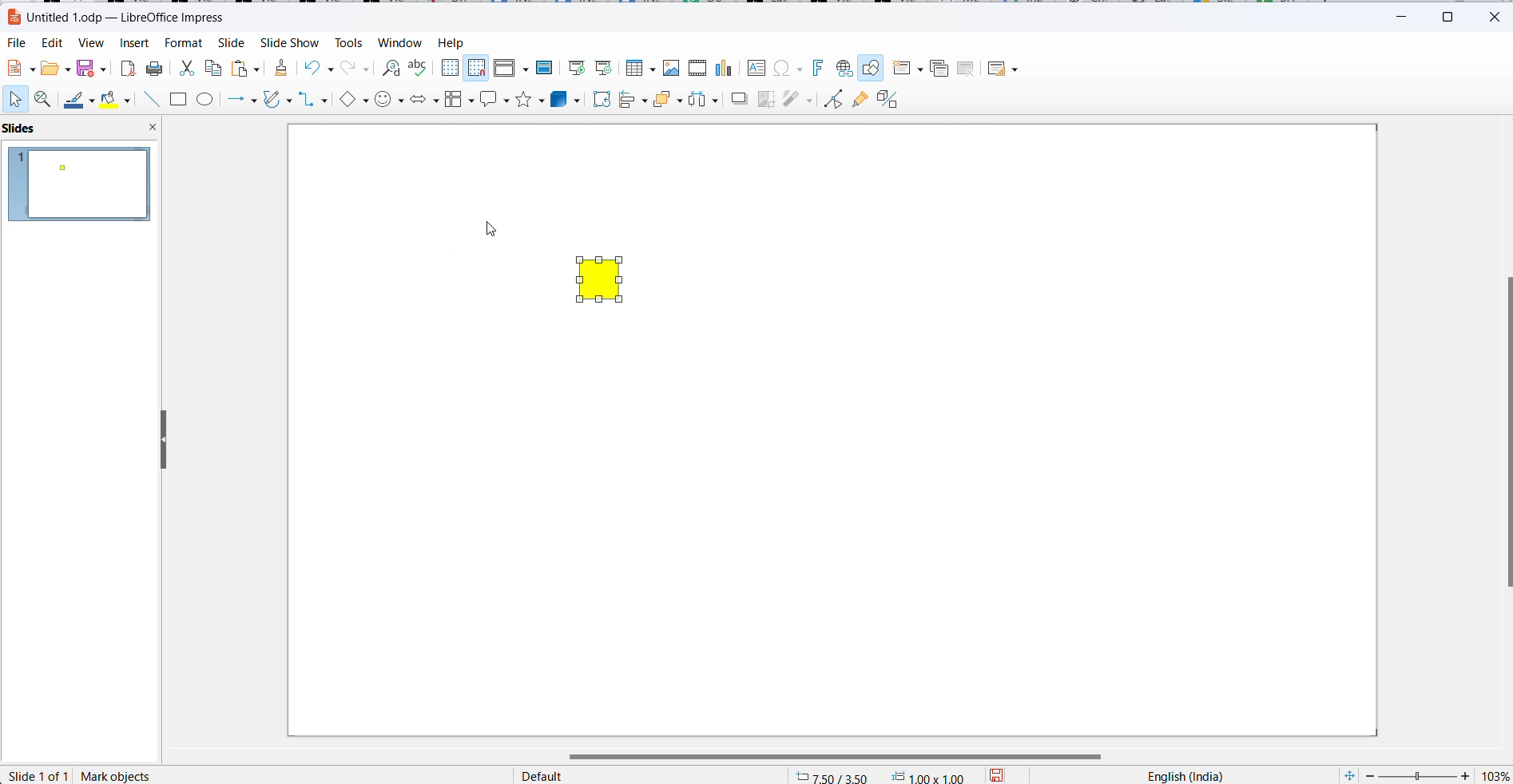  Describe the element at coordinates (645, 774) in the screenshot. I see `page style` at that location.